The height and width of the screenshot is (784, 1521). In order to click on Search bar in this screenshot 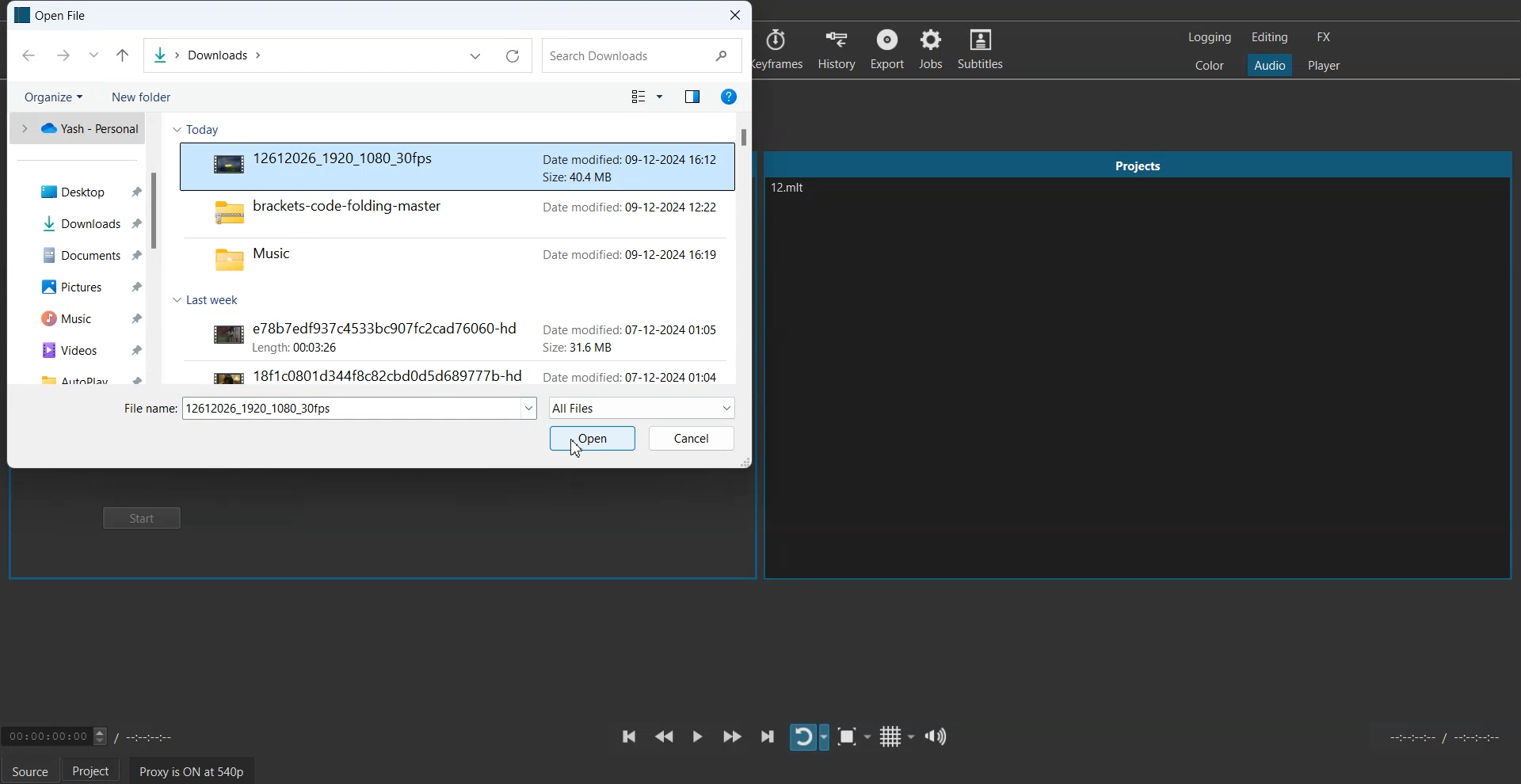, I will do `click(642, 56)`.